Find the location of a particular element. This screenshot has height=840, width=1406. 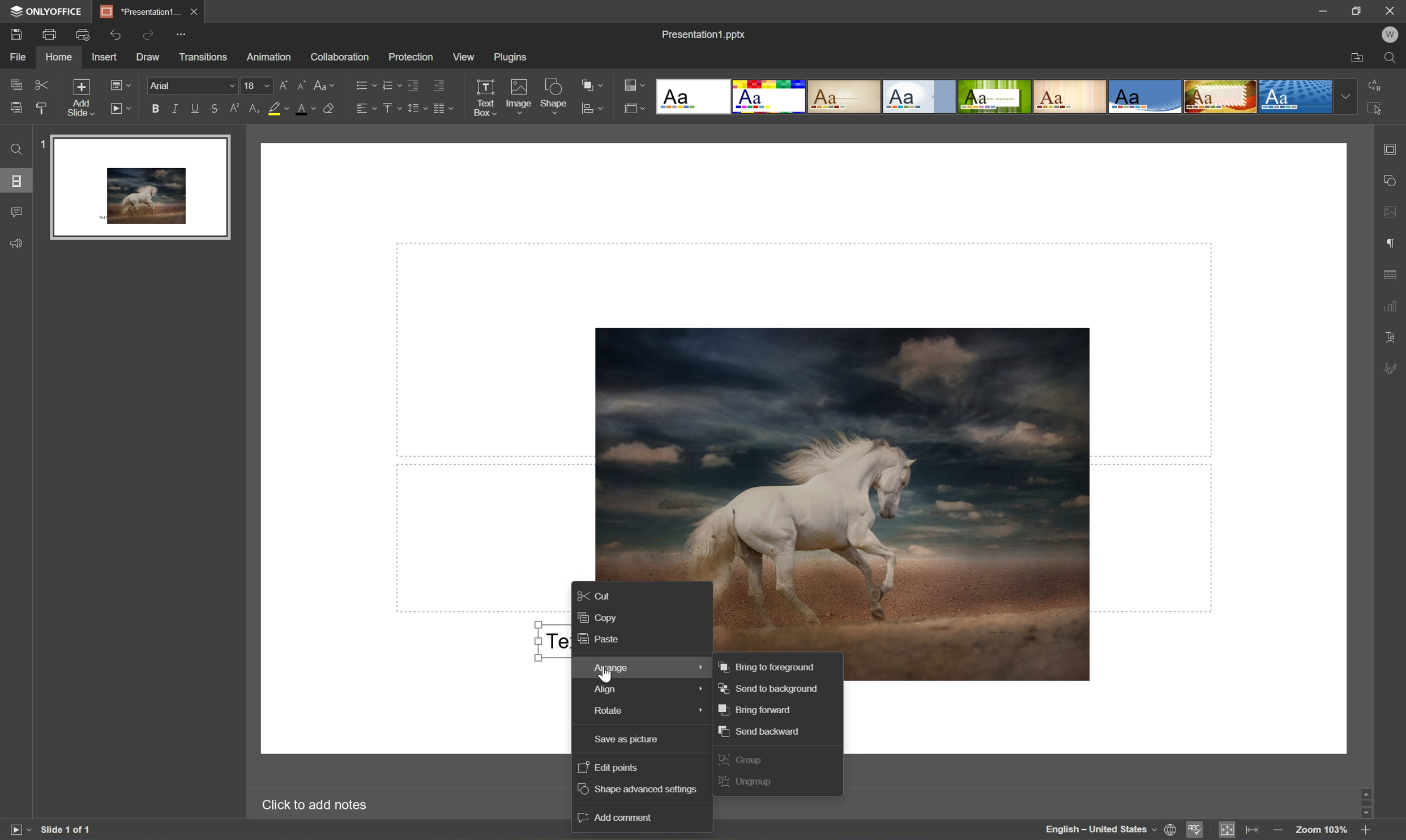

Lines is located at coordinates (1071, 96).